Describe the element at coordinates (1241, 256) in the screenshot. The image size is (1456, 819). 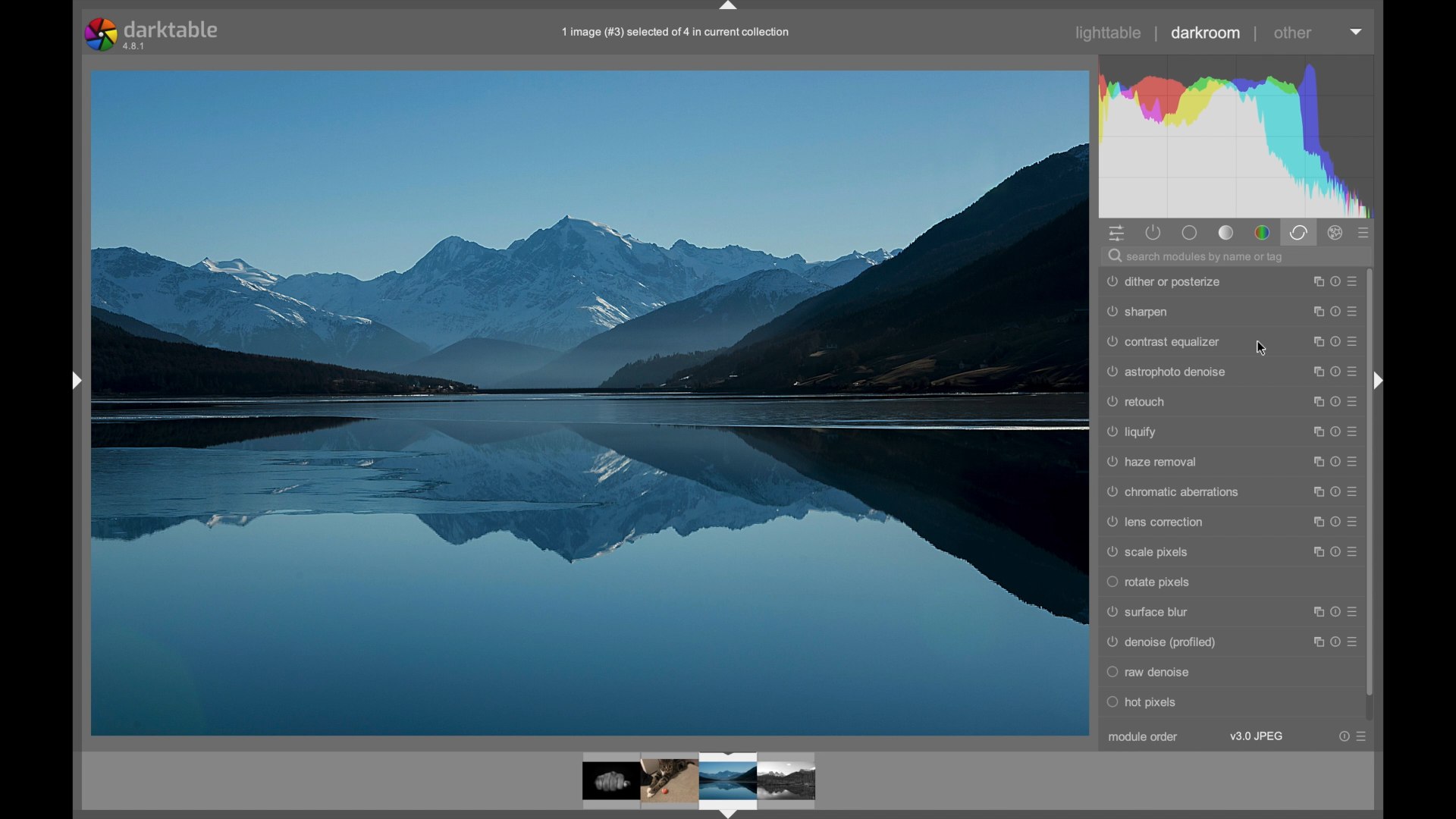
I see `search bar` at that location.